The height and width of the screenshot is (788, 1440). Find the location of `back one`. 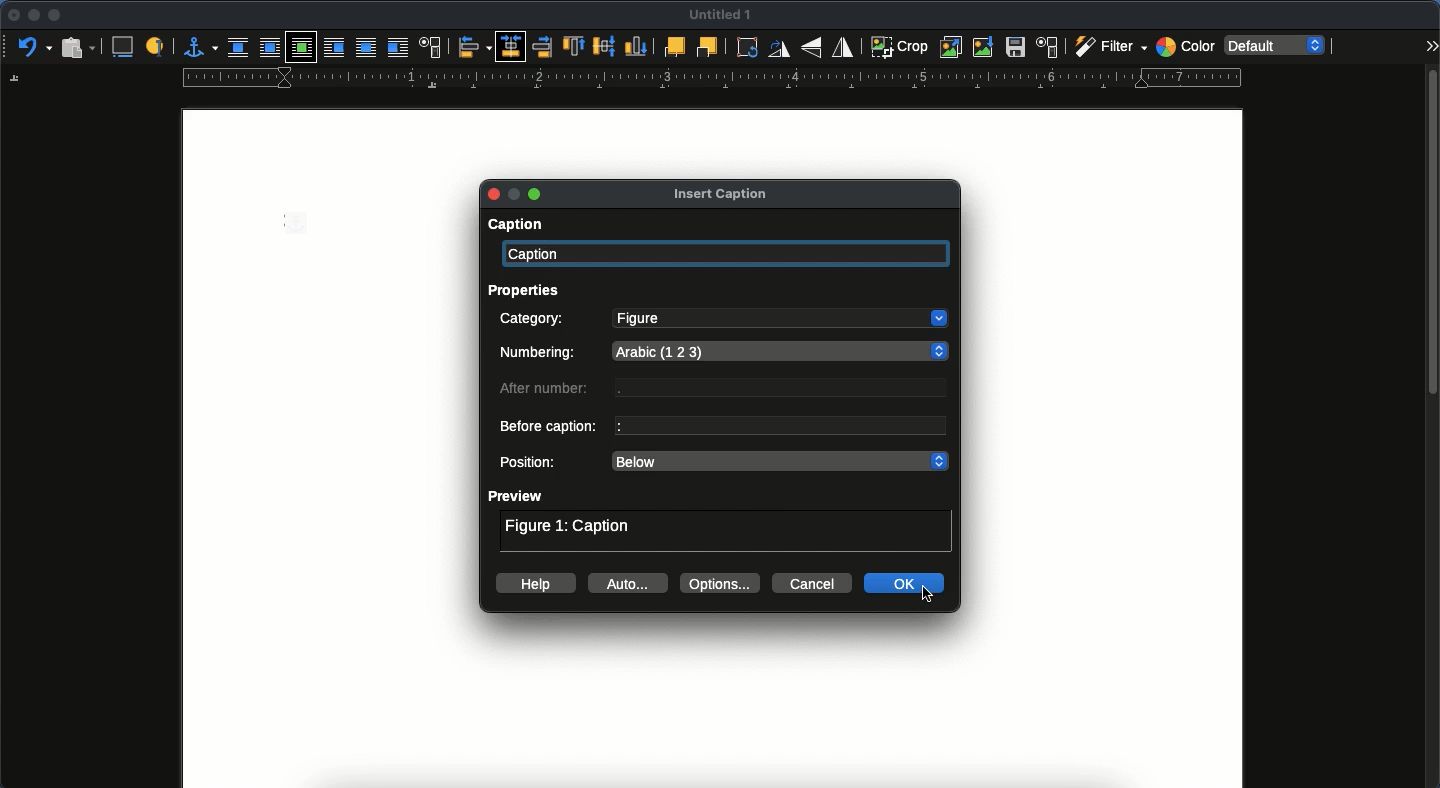

back one is located at coordinates (707, 47).